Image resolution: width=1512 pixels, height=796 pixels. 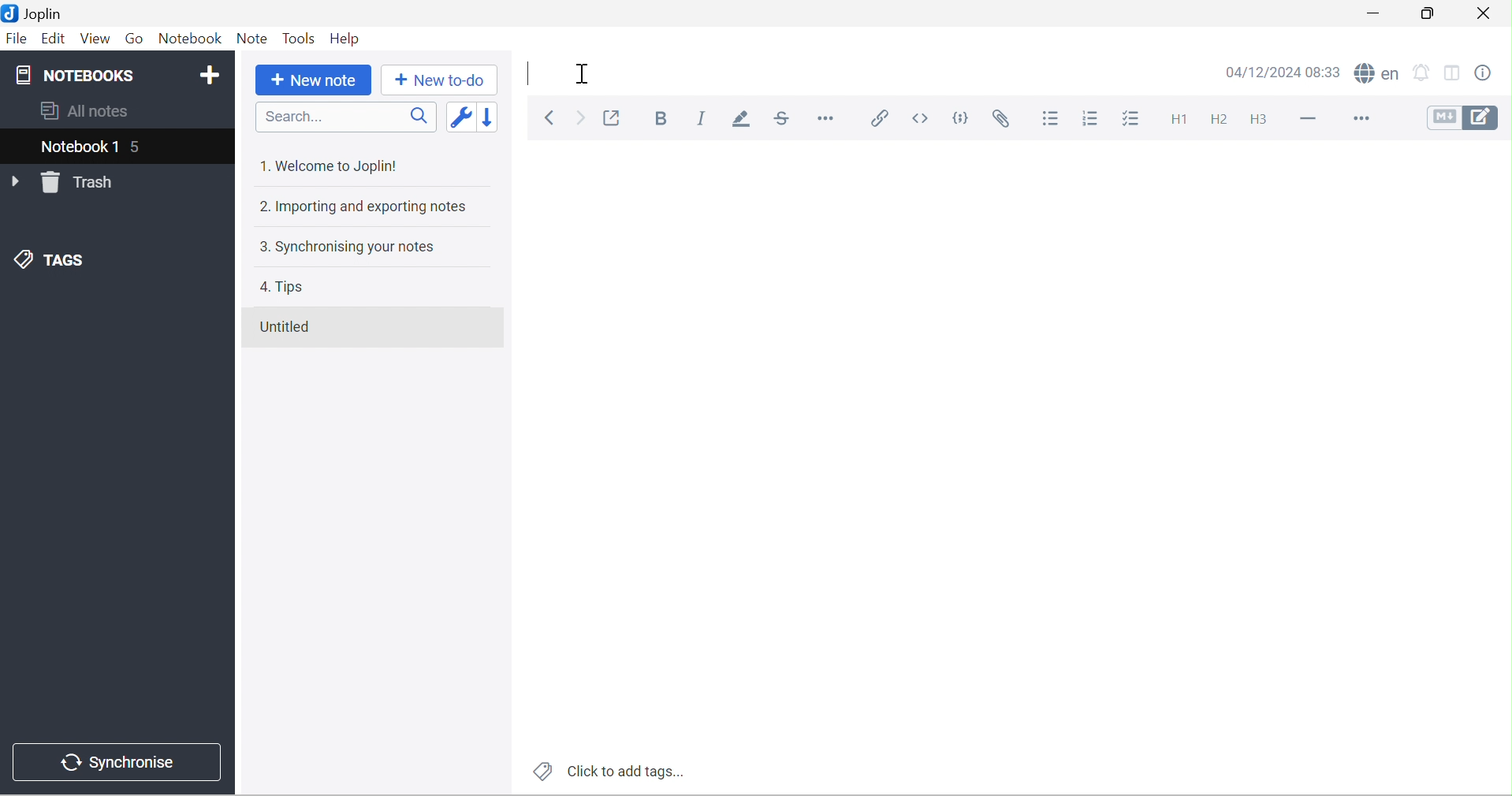 What do you see at coordinates (335, 165) in the screenshot?
I see `1. Welcome to Joplin!` at bounding box center [335, 165].